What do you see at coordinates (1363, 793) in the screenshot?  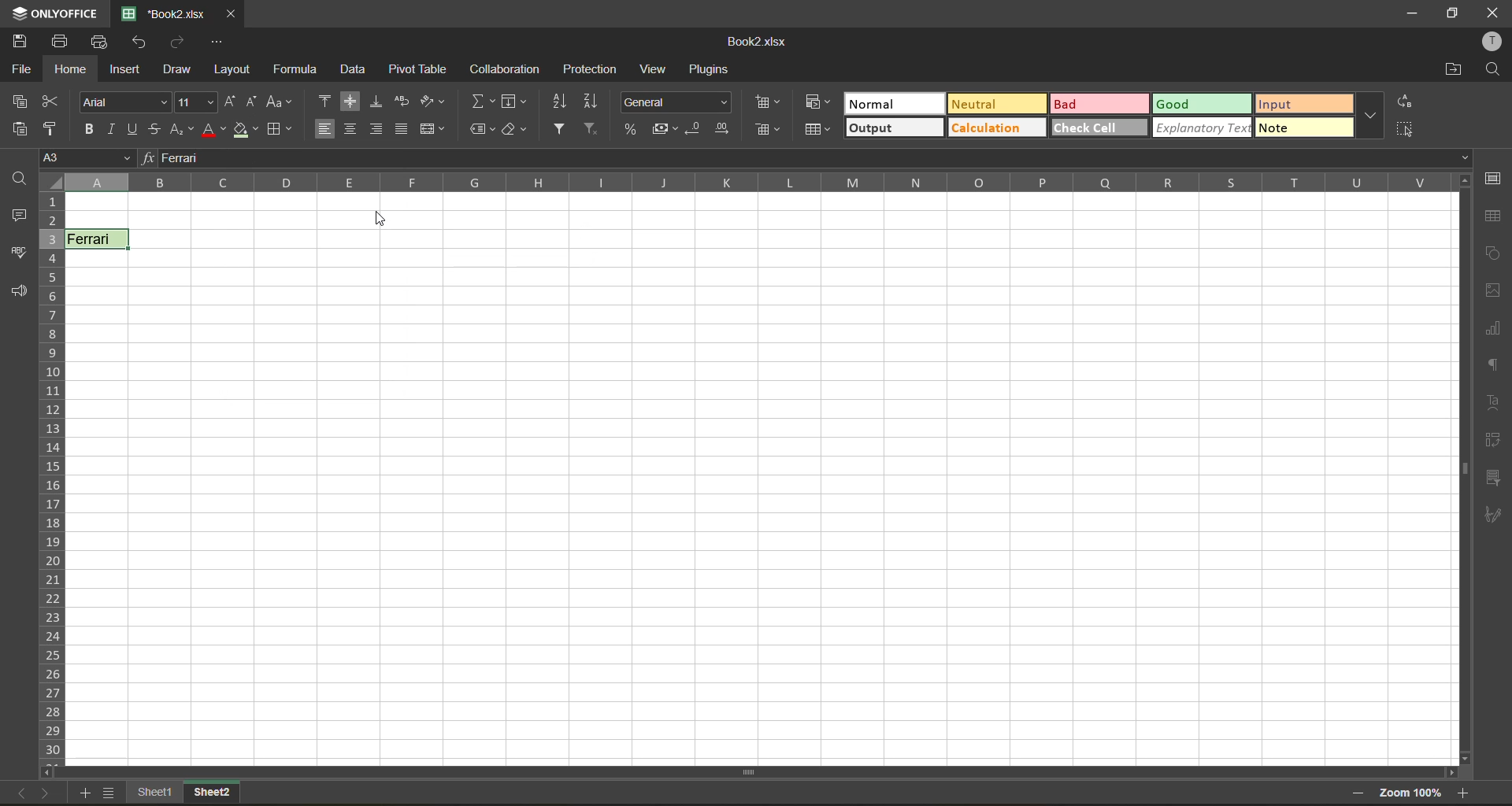 I see `zoom out` at bounding box center [1363, 793].